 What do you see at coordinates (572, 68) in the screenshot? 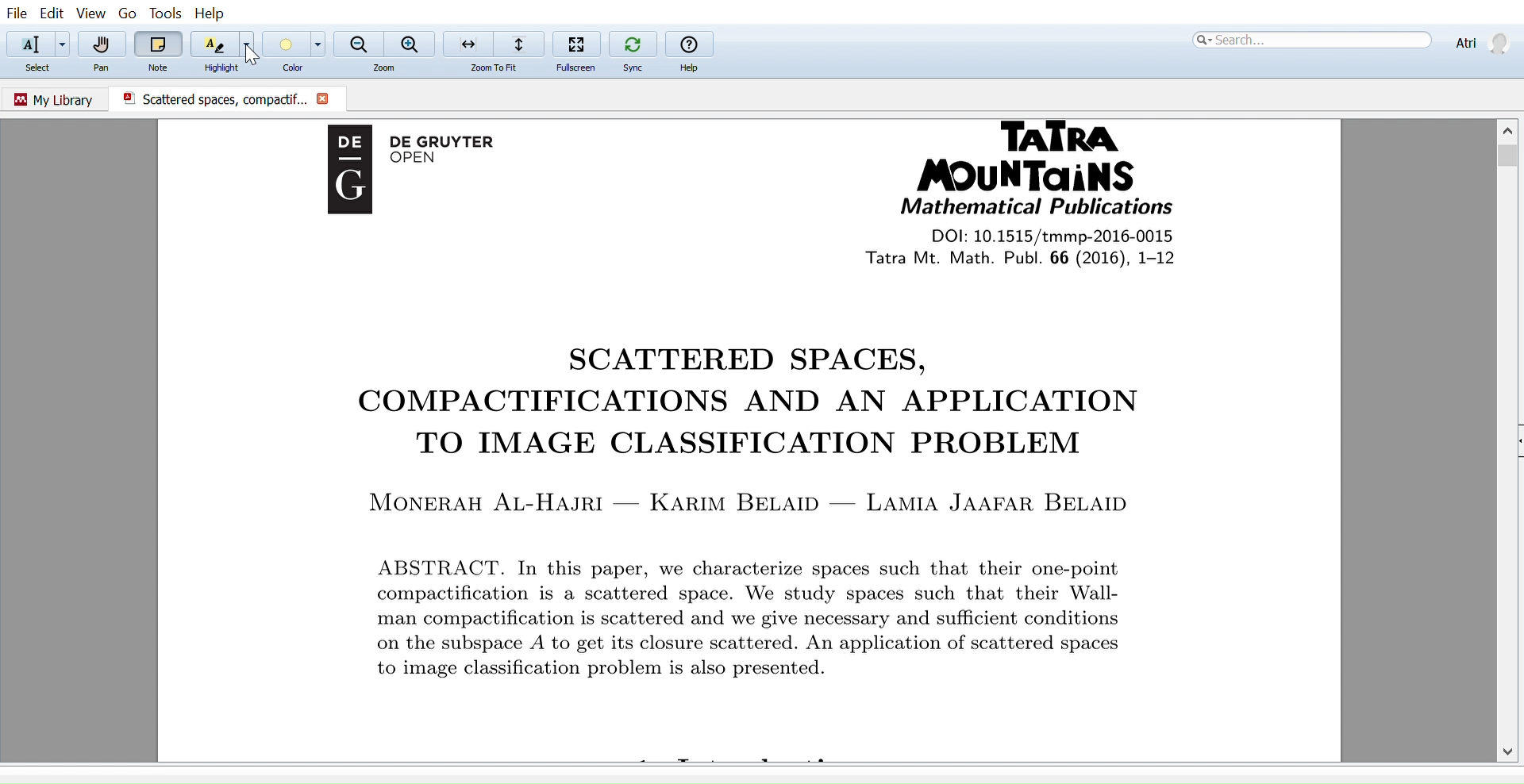
I see `Fullscreen` at bounding box center [572, 68].